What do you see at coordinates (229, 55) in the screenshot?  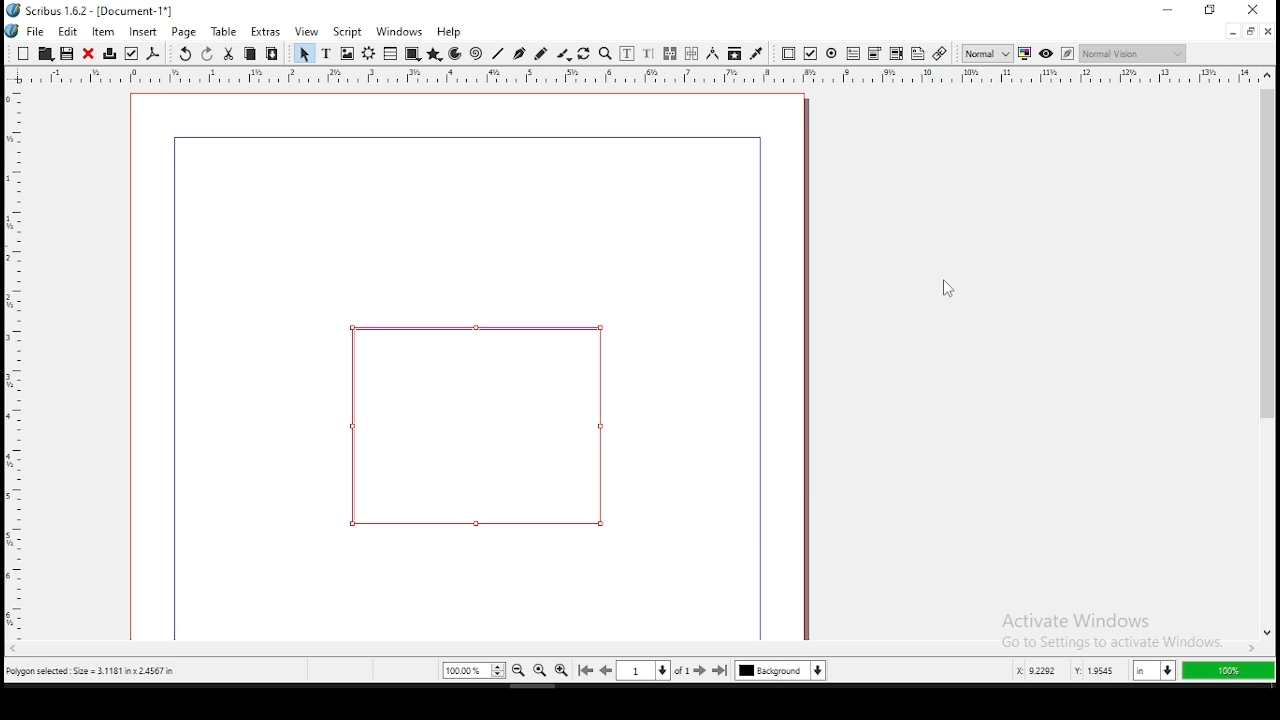 I see `cut` at bounding box center [229, 55].